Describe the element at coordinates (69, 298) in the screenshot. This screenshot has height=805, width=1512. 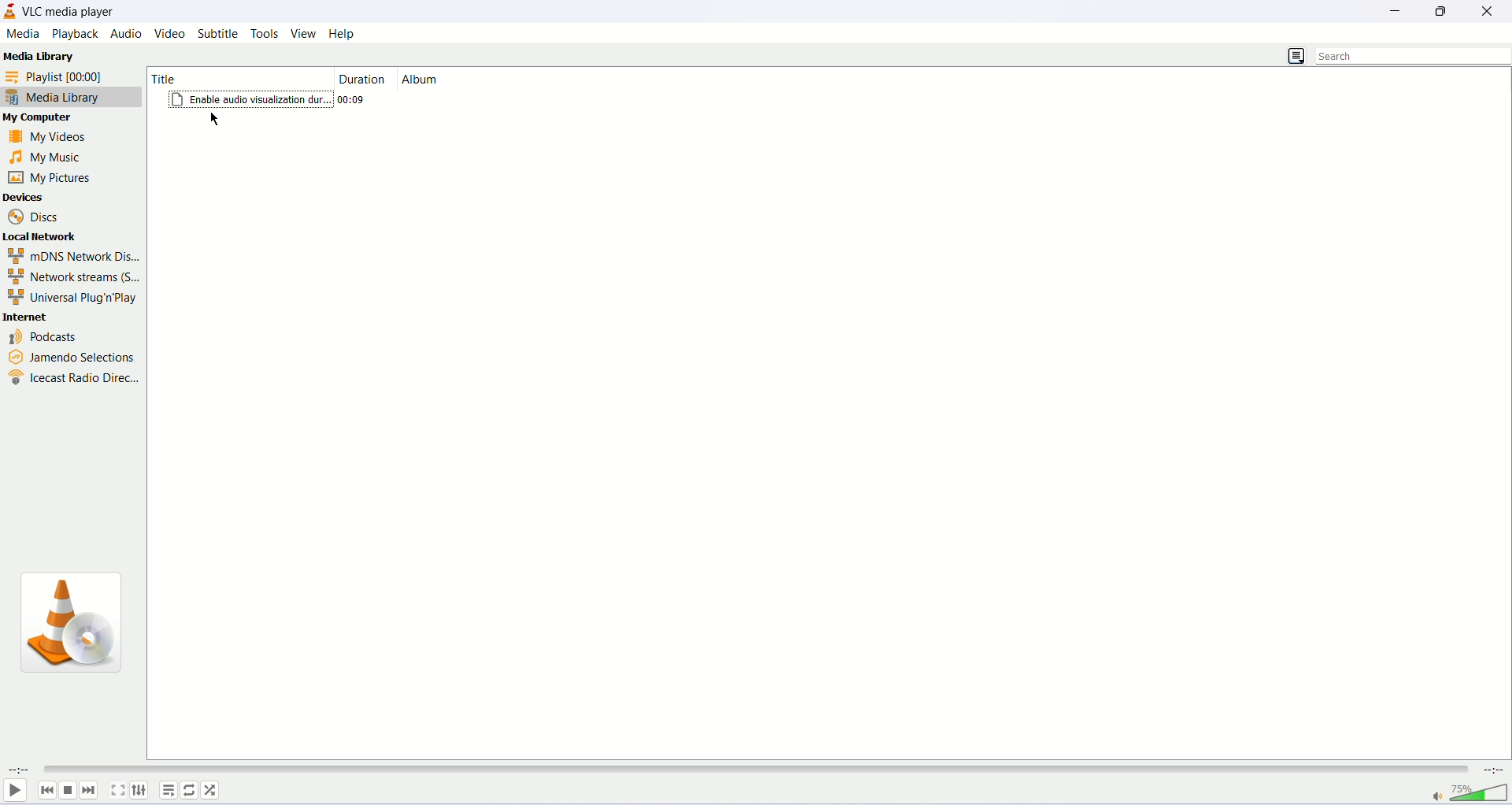
I see `Universal Plug n Play` at that location.